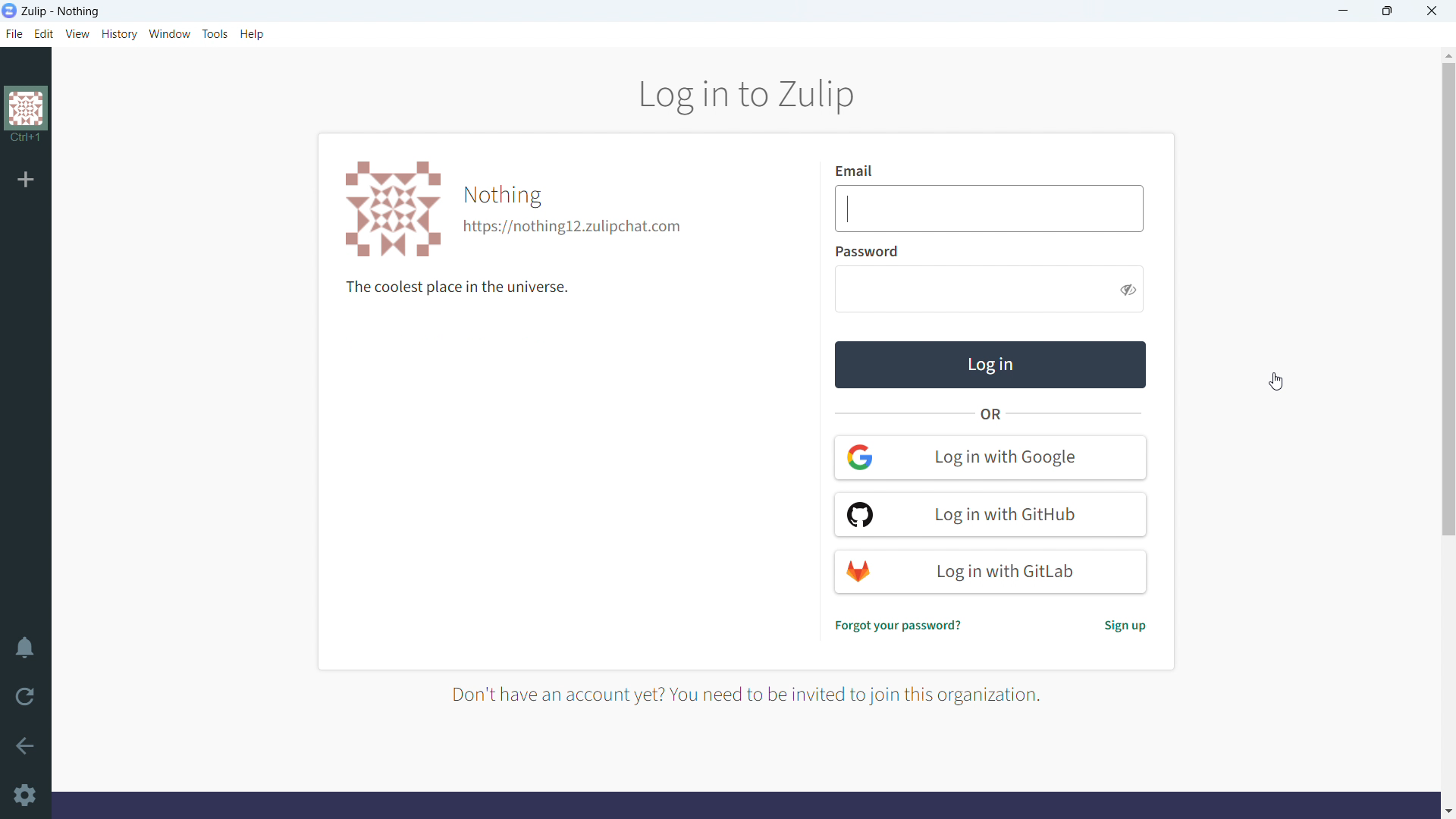 Image resolution: width=1456 pixels, height=819 pixels. Describe the element at coordinates (252, 34) in the screenshot. I see `help` at that location.